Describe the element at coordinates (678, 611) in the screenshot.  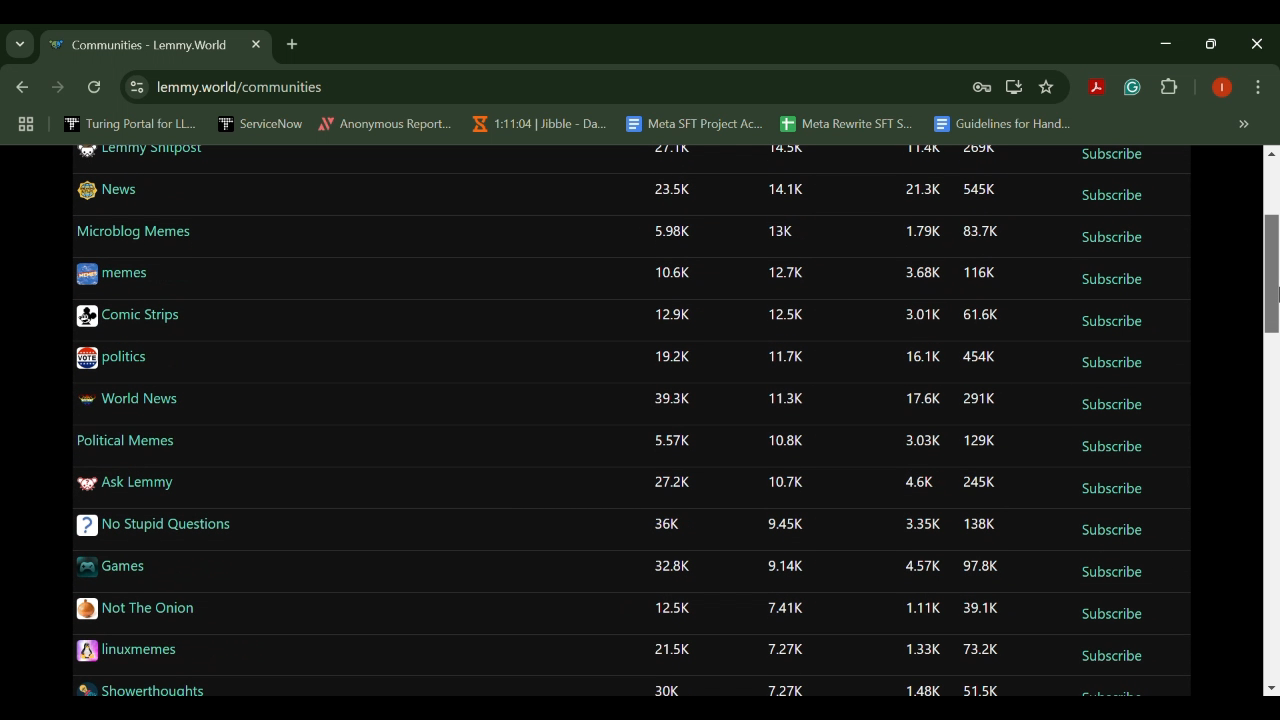
I see `12.5K` at that location.